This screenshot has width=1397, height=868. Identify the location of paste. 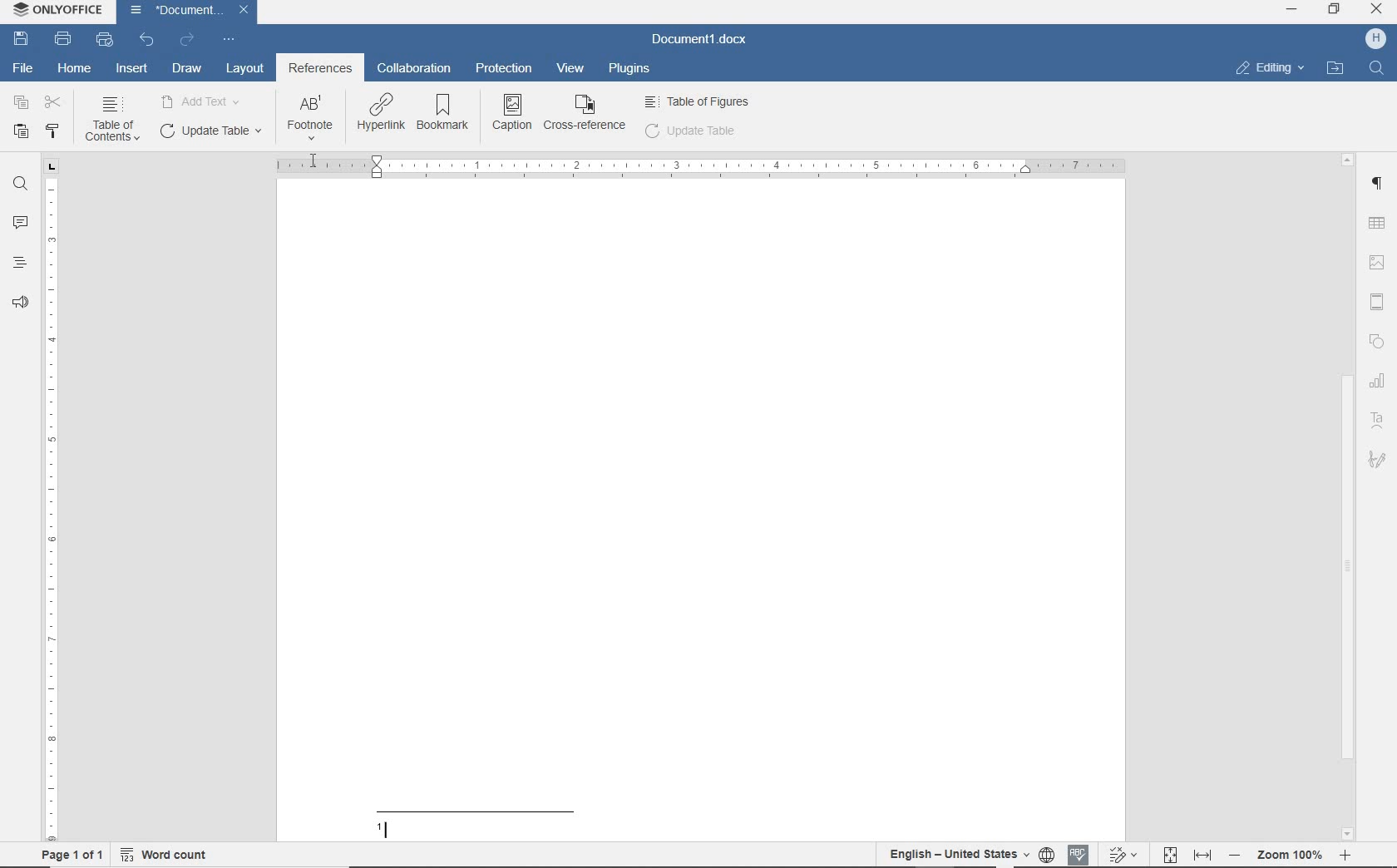
(19, 132).